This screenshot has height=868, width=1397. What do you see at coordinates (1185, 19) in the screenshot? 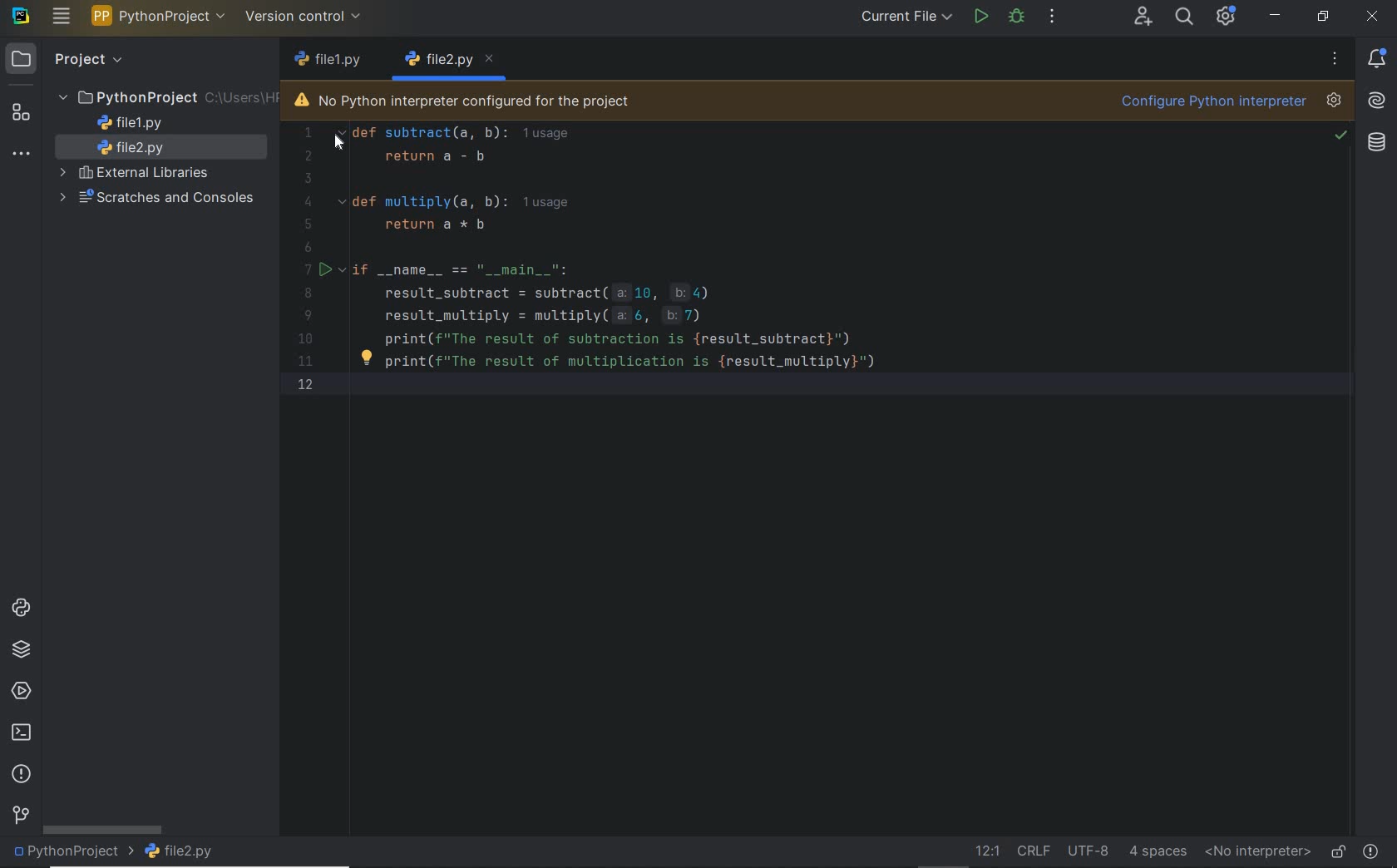
I see `search everywhere` at bounding box center [1185, 19].